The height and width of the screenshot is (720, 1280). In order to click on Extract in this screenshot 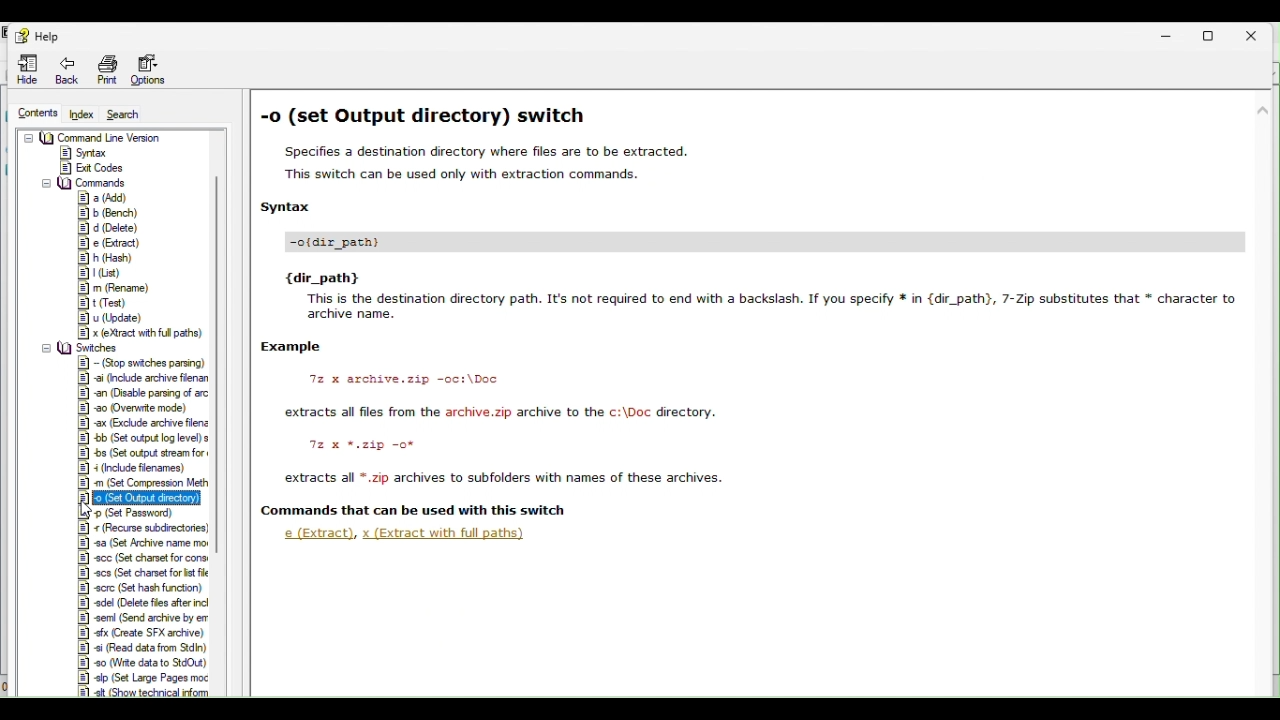, I will do `click(122, 333)`.